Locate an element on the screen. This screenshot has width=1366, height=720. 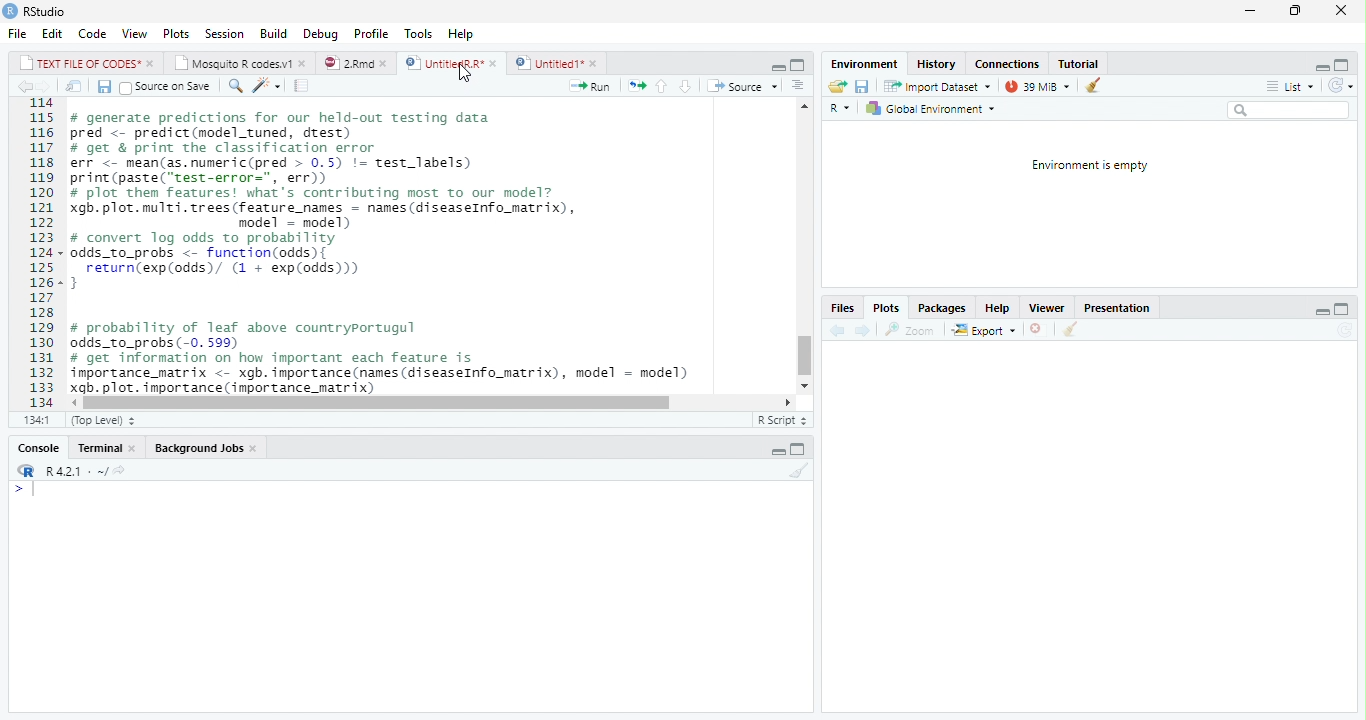
R is located at coordinates (24, 470).